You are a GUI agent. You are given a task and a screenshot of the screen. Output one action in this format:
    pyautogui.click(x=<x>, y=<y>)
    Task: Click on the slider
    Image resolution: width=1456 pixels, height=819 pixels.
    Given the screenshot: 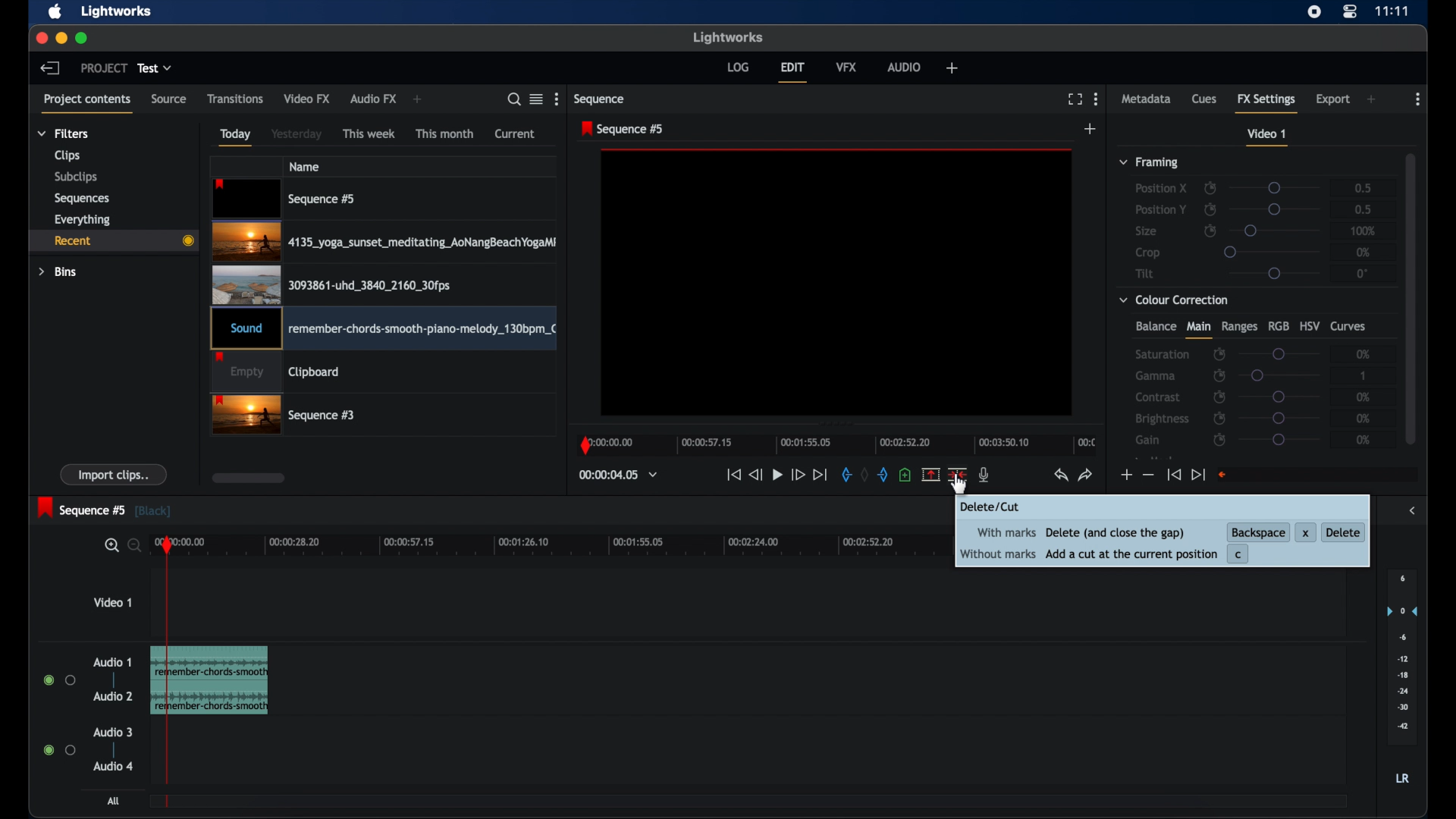 What is the action you would take?
    pyautogui.click(x=1274, y=274)
    